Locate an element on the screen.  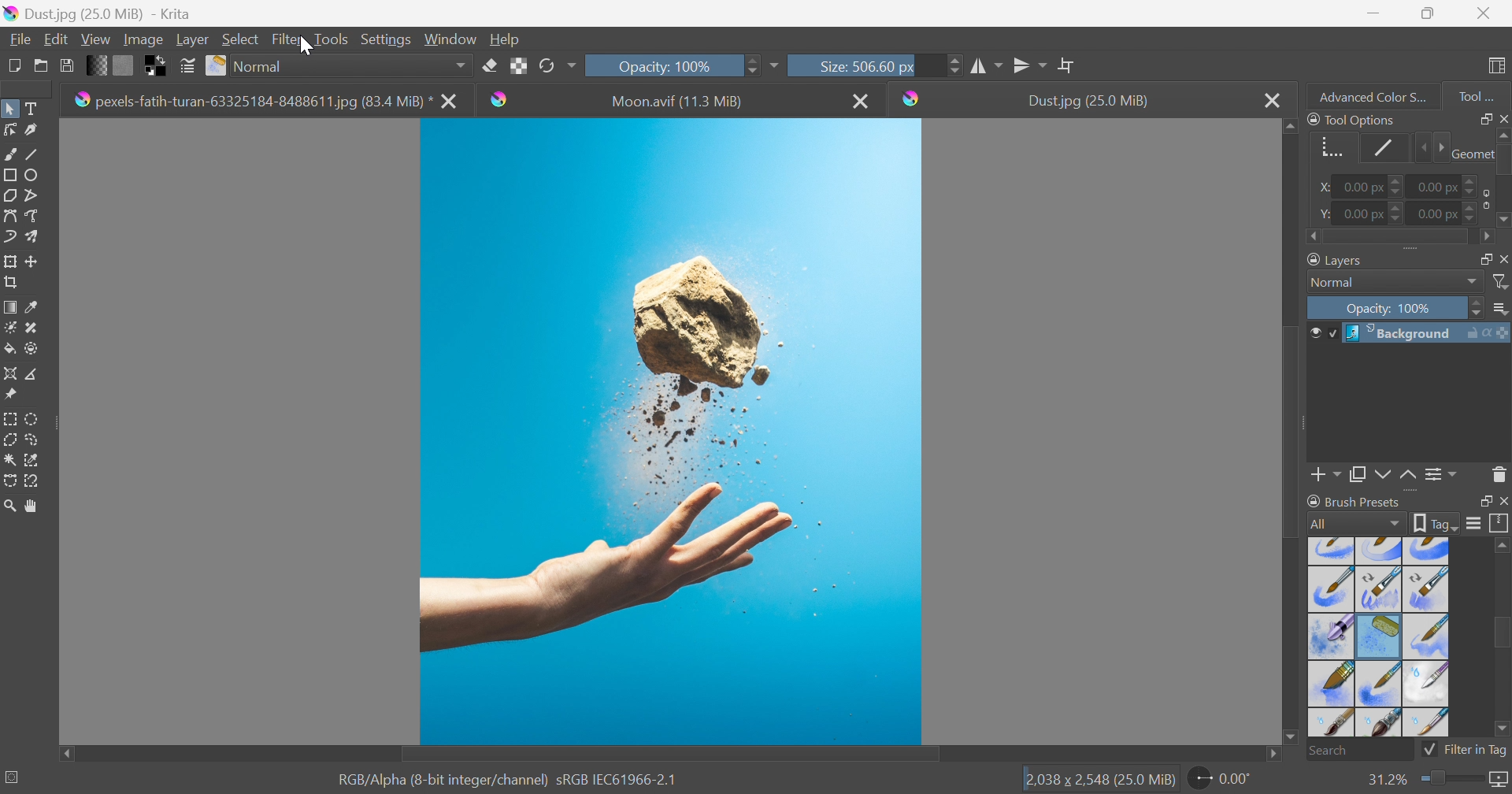
0.00 px is located at coordinates (1436, 214).